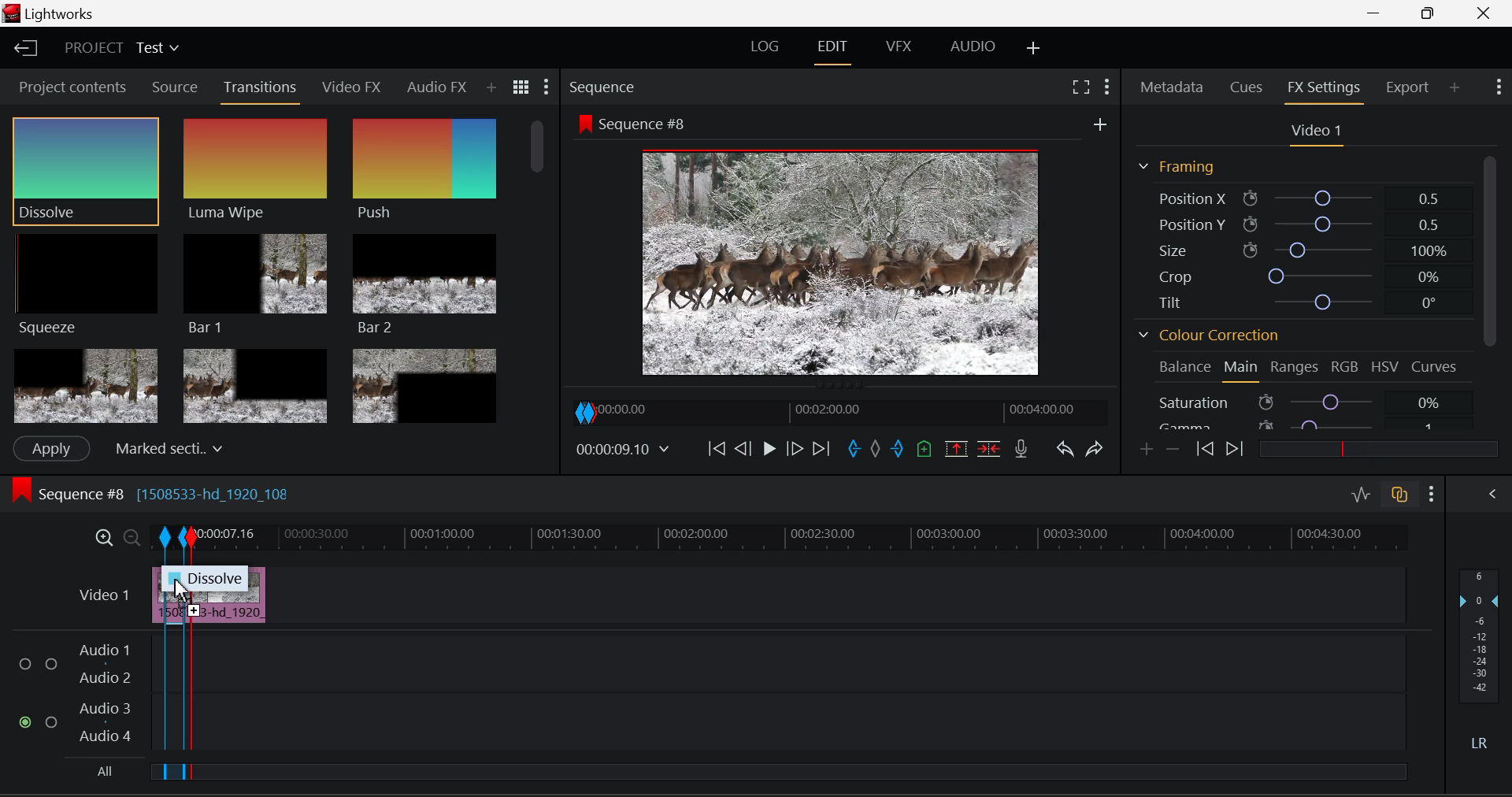  What do you see at coordinates (1432, 494) in the screenshot?
I see `Show Settings` at bounding box center [1432, 494].